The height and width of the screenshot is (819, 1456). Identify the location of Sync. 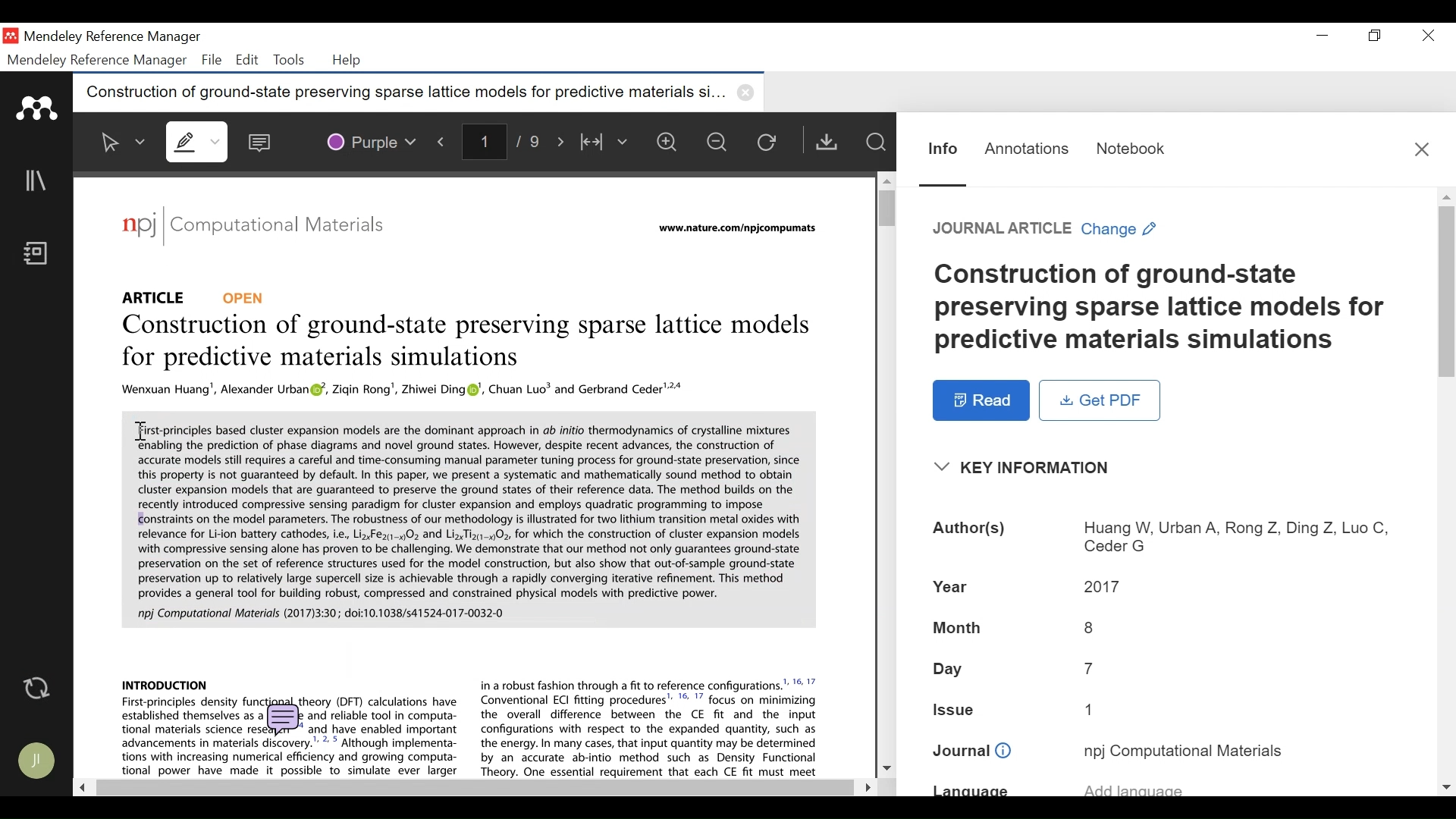
(38, 688).